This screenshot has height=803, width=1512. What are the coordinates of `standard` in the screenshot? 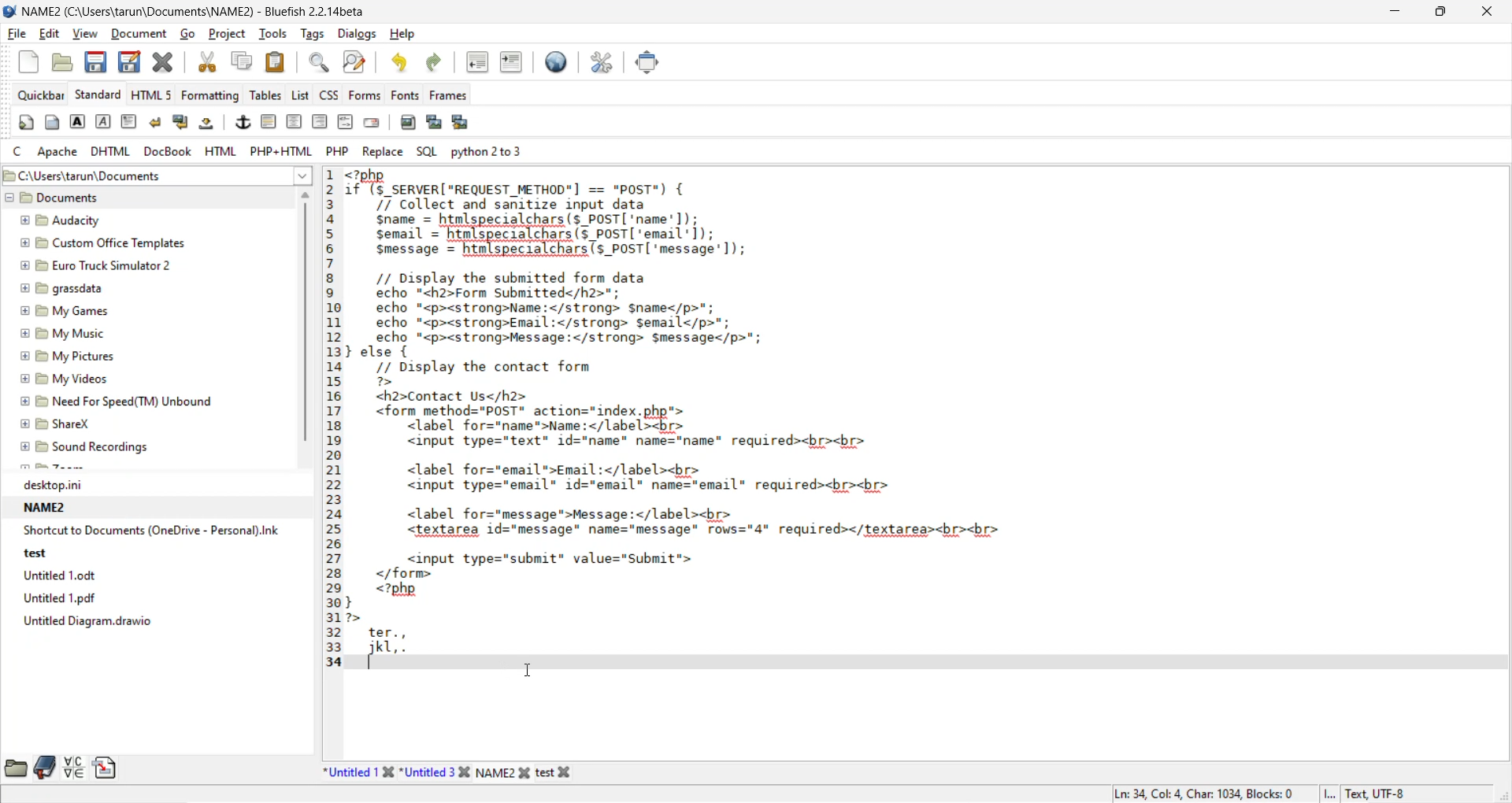 It's located at (99, 94).